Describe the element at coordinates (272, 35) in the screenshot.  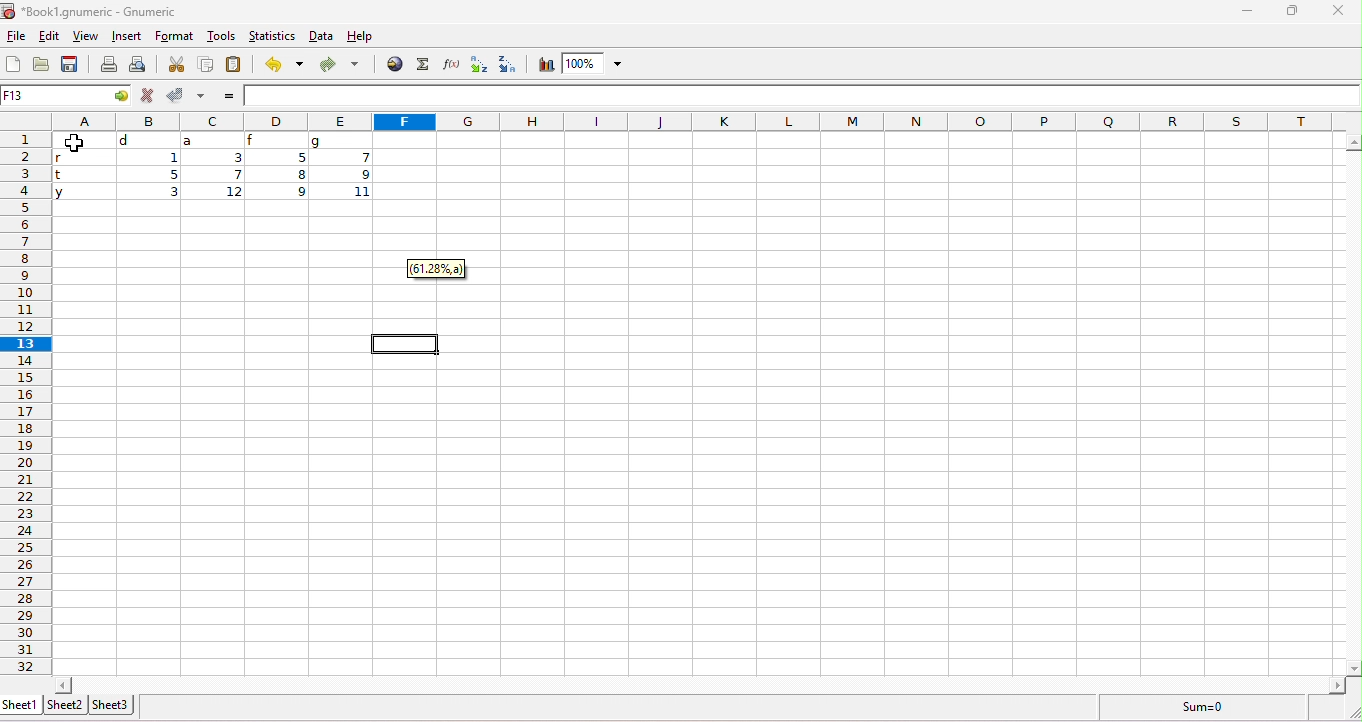
I see `statistics` at that location.